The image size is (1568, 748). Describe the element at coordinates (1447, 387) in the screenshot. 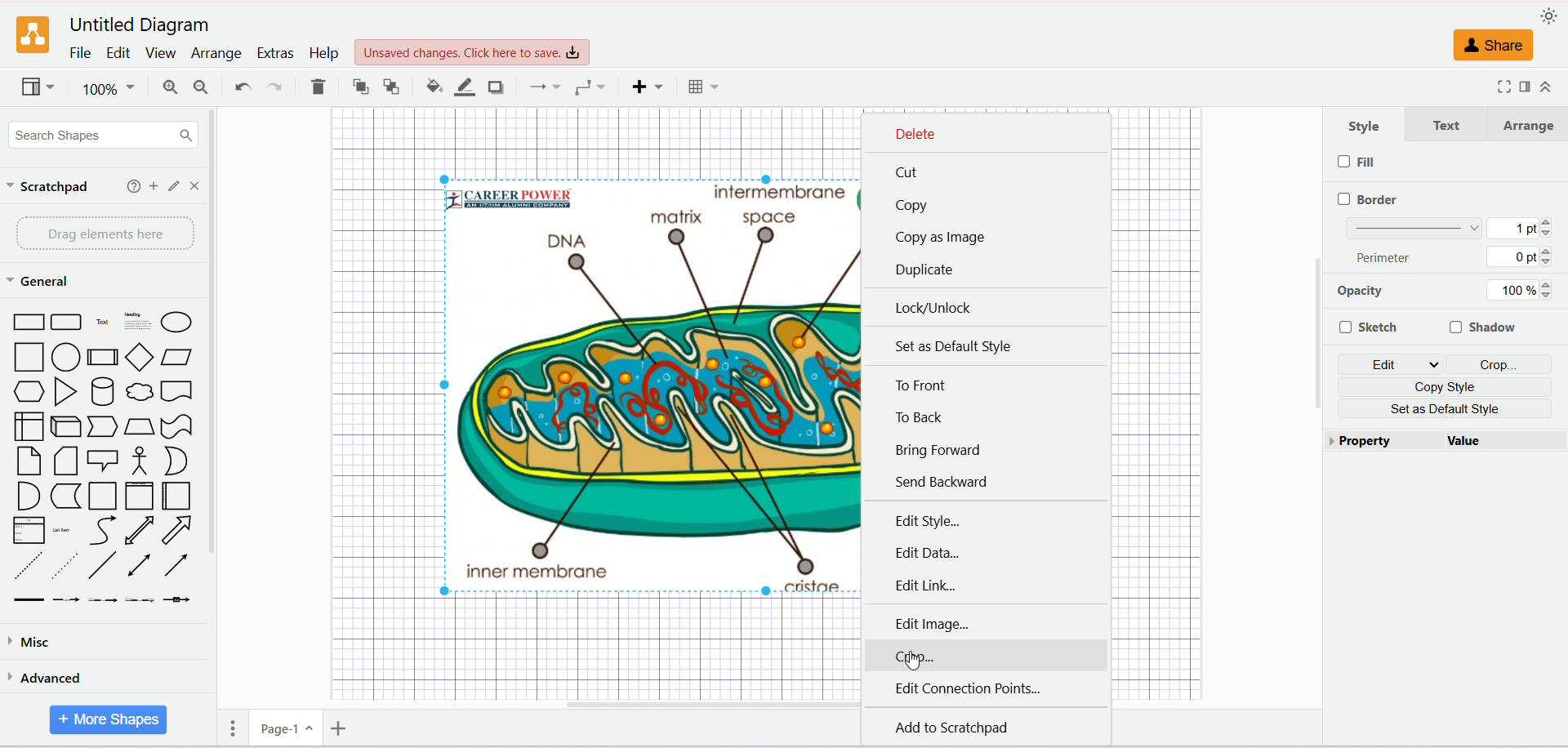

I see `copy style` at that location.